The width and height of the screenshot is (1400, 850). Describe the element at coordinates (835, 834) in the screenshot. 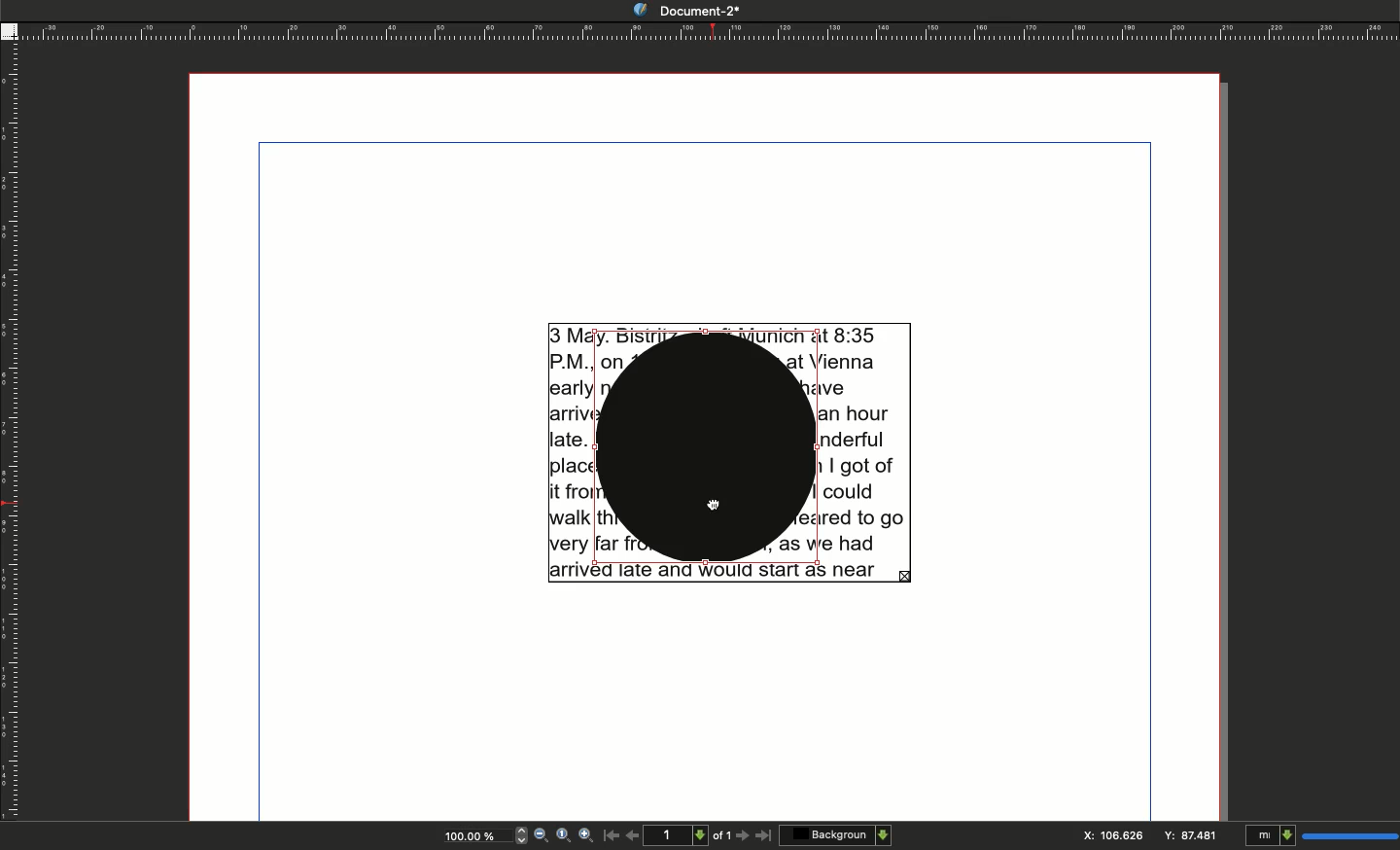

I see `Background` at that location.